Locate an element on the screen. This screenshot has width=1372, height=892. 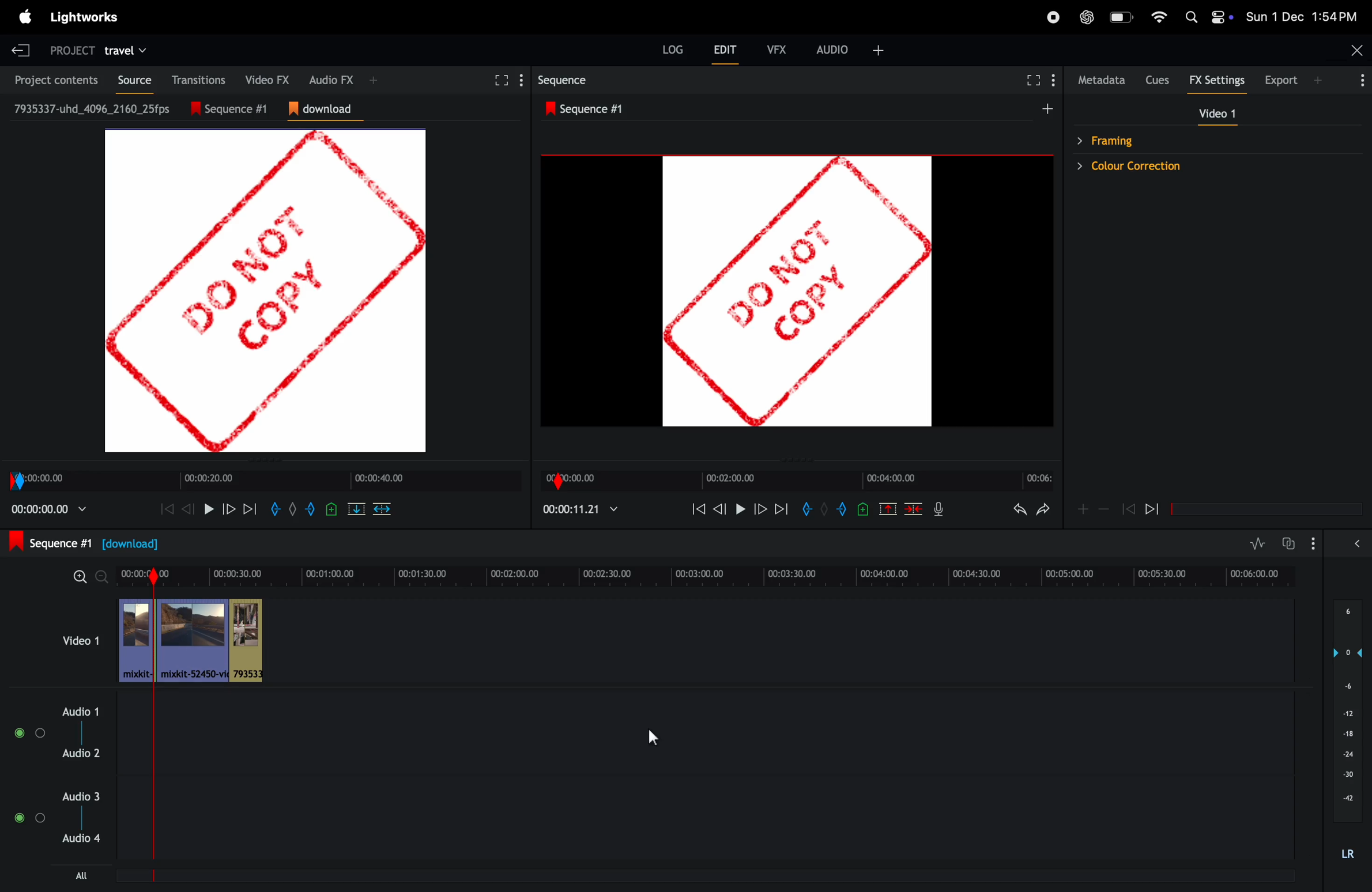
download is located at coordinates (326, 109).